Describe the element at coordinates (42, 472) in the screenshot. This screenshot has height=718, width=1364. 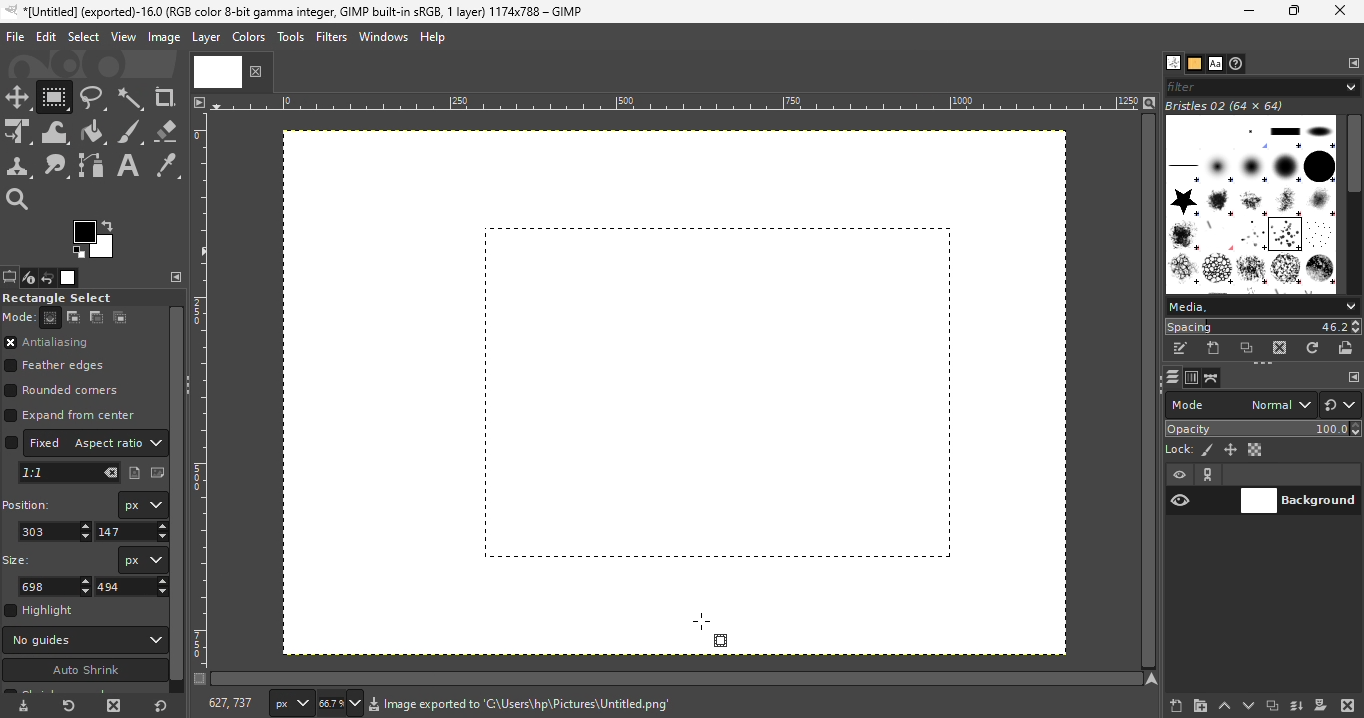
I see `1.1` at that location.